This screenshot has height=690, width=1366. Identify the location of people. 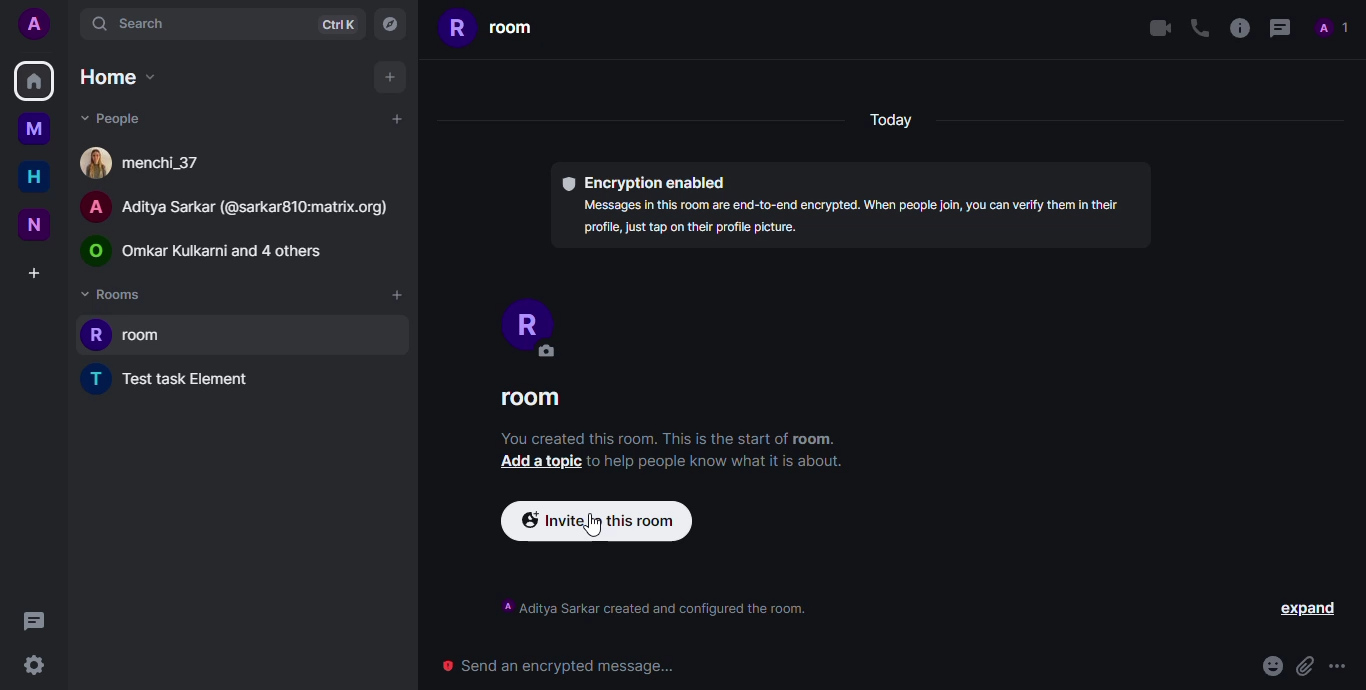
(122, 118).